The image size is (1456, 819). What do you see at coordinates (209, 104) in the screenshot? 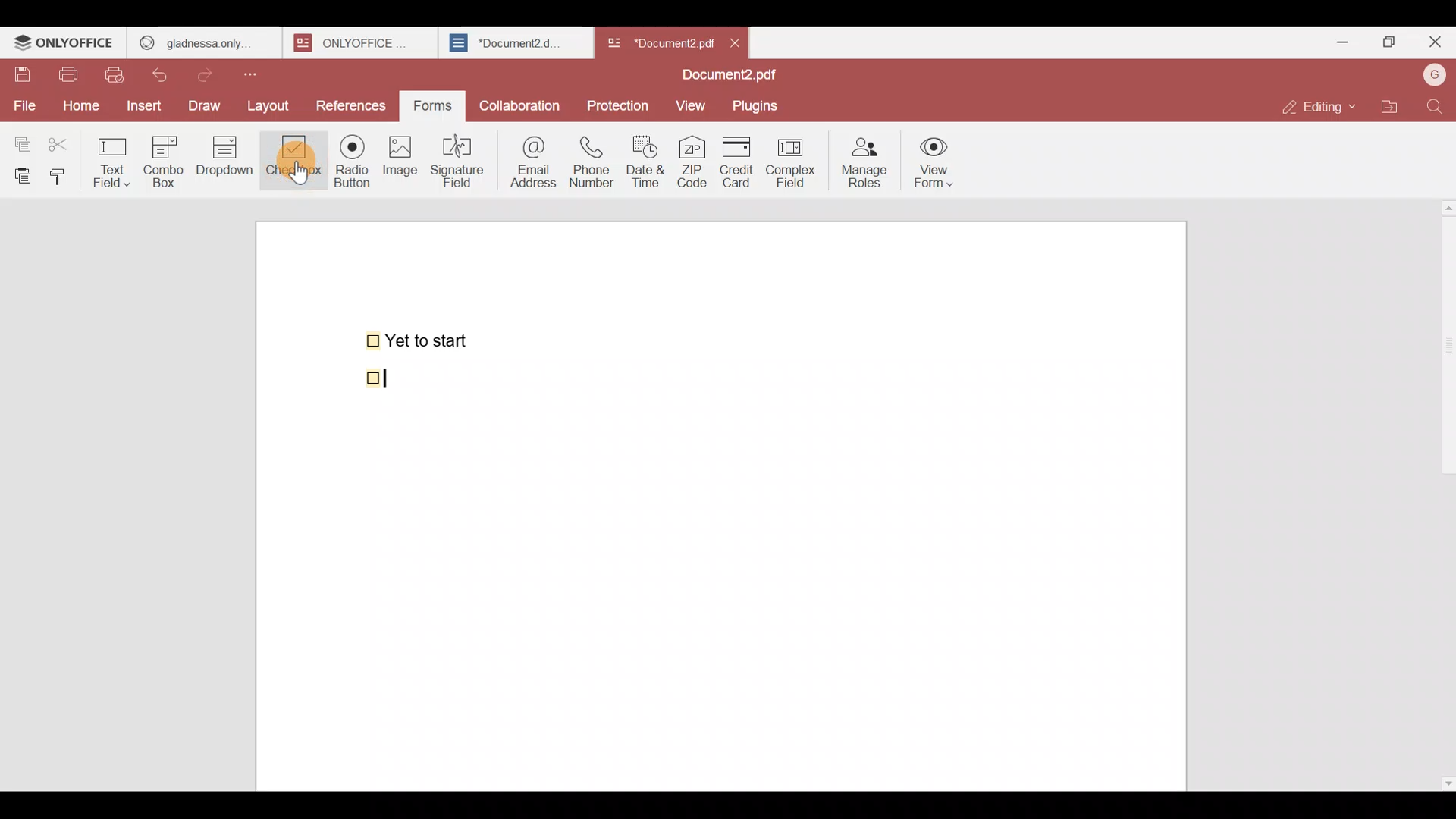
I see `Draw` at bounding box center [209, 104].